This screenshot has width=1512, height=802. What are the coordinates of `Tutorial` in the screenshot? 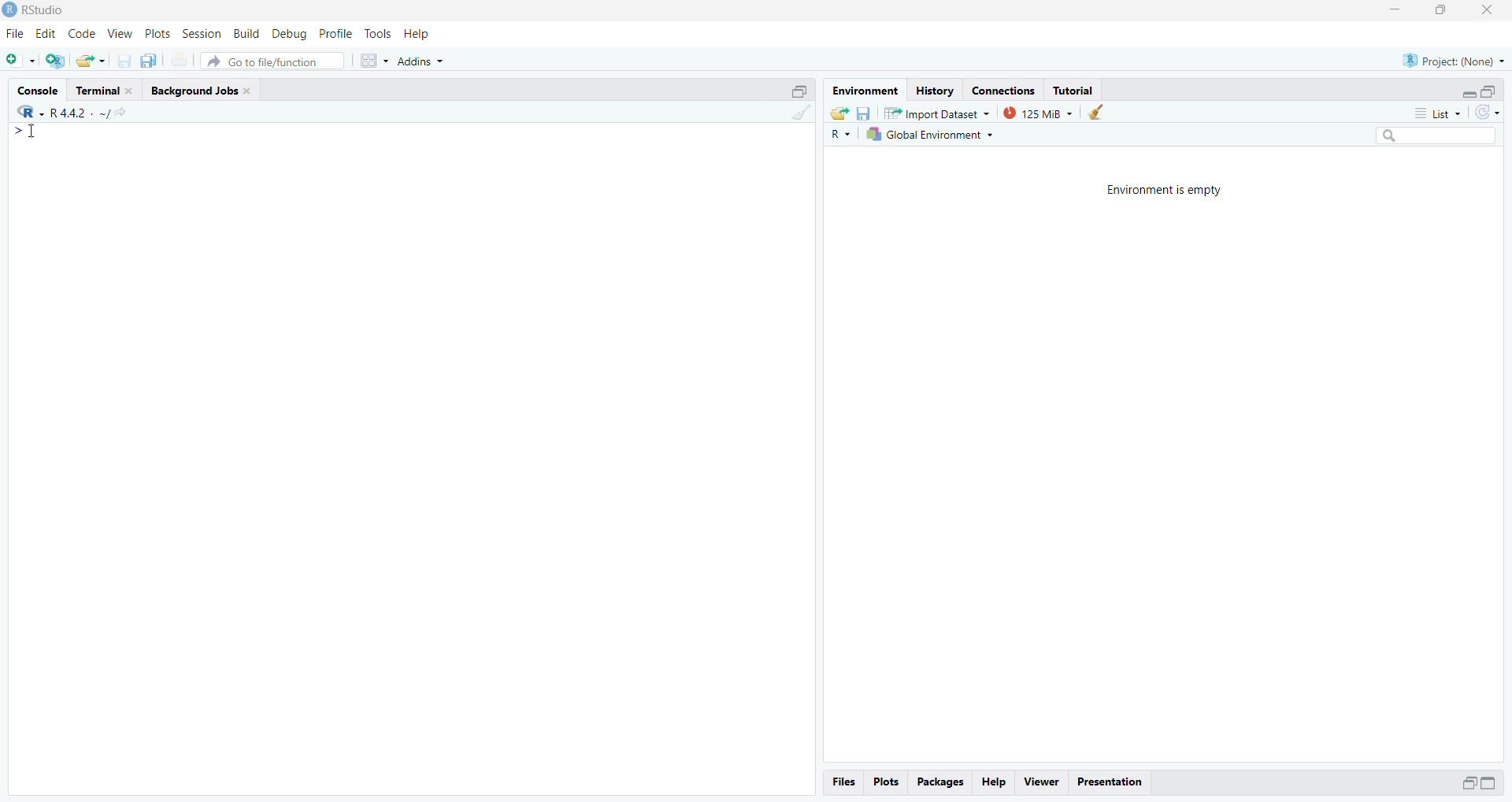 It's located at (1074, 90).